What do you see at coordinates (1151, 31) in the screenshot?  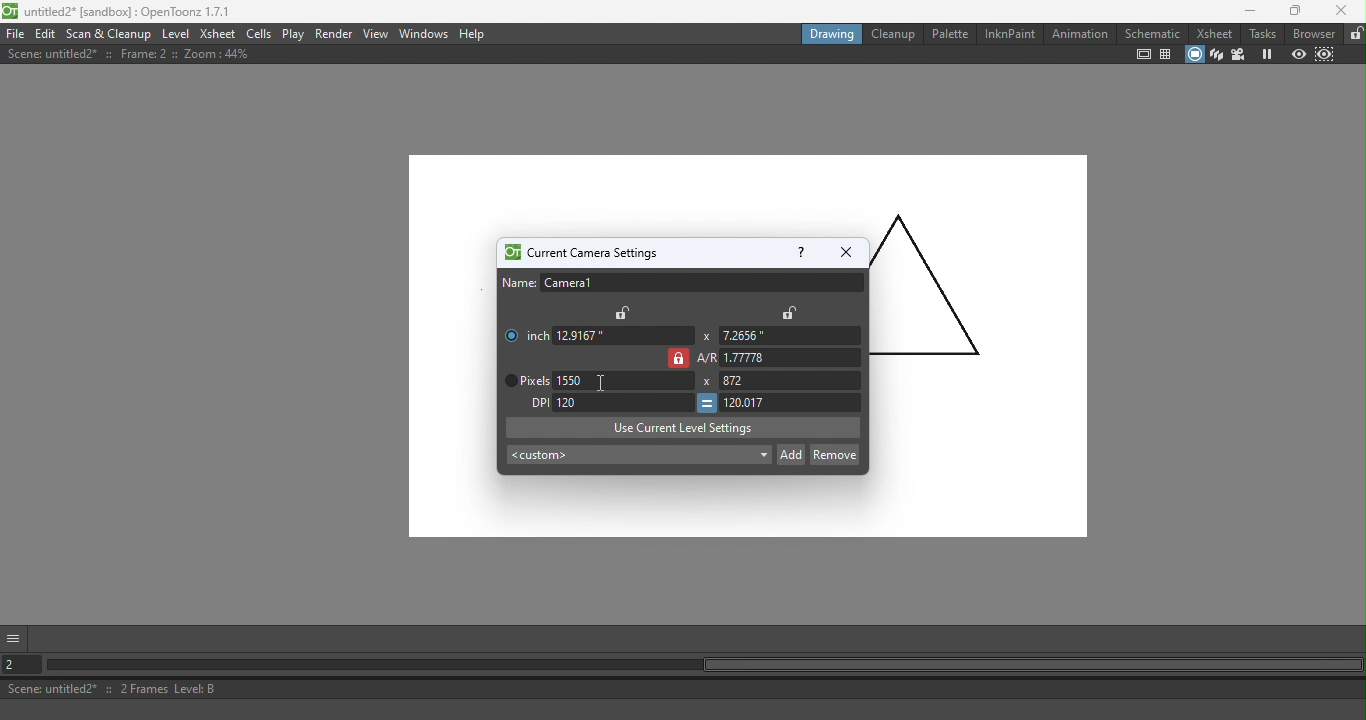 I see `Shematic` at bounding box center [1151, 31].